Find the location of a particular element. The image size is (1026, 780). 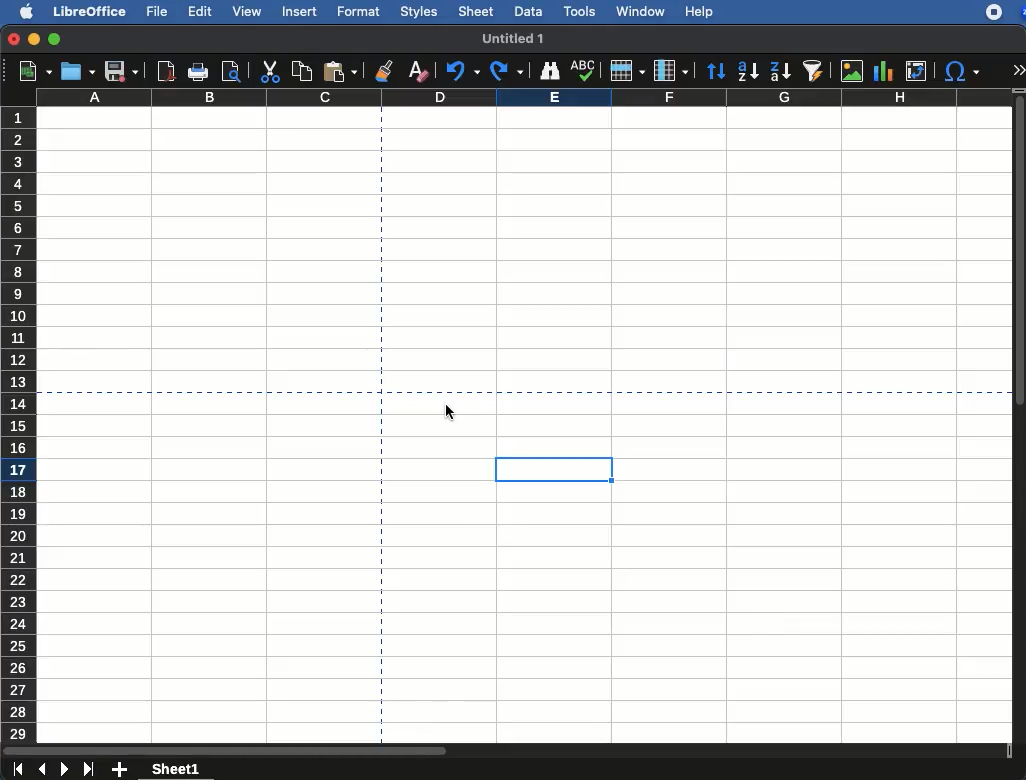

print is located at coordinates (199, 73).